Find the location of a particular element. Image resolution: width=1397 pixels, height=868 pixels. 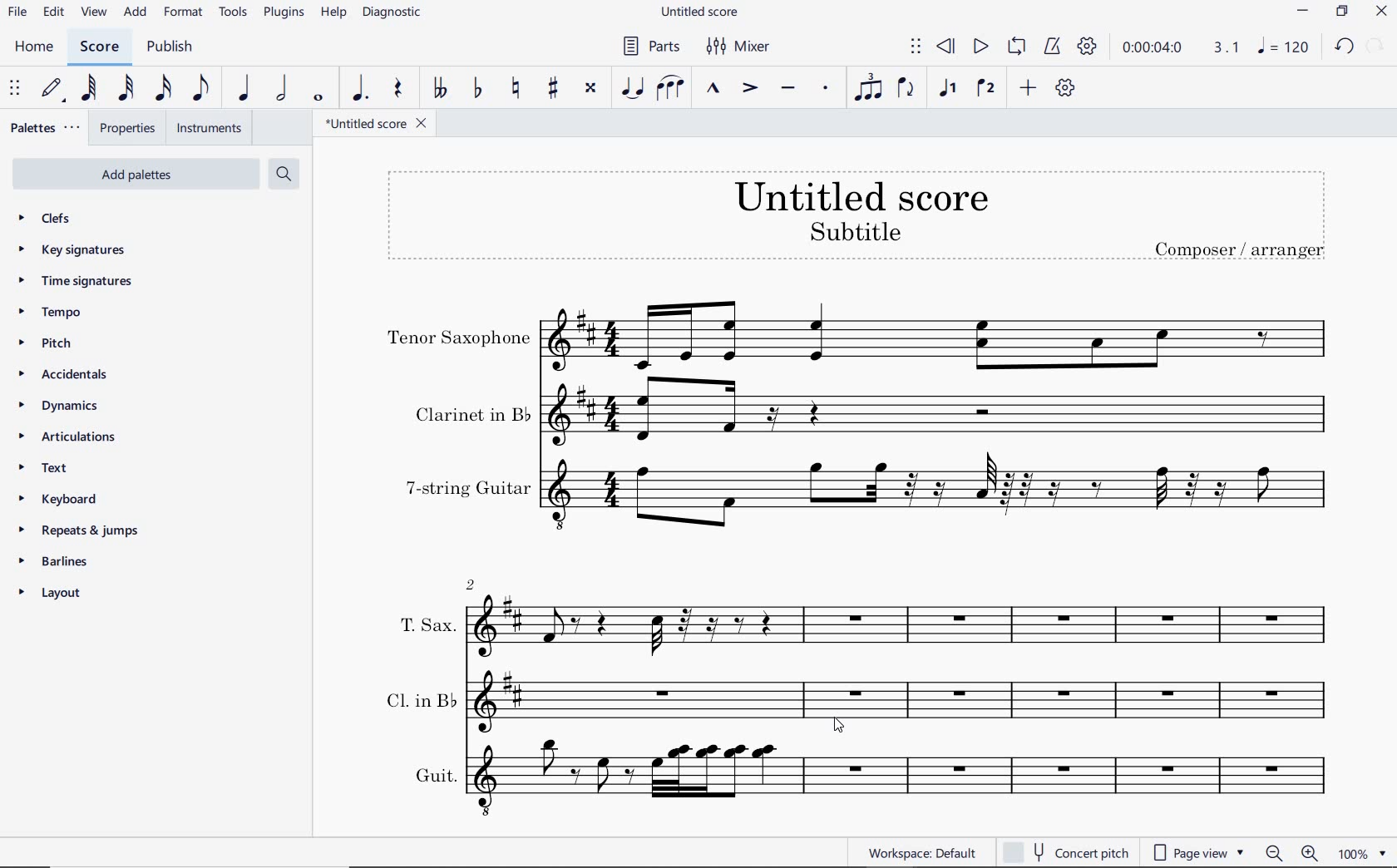

Guit. is located at coordinates (858, 780).